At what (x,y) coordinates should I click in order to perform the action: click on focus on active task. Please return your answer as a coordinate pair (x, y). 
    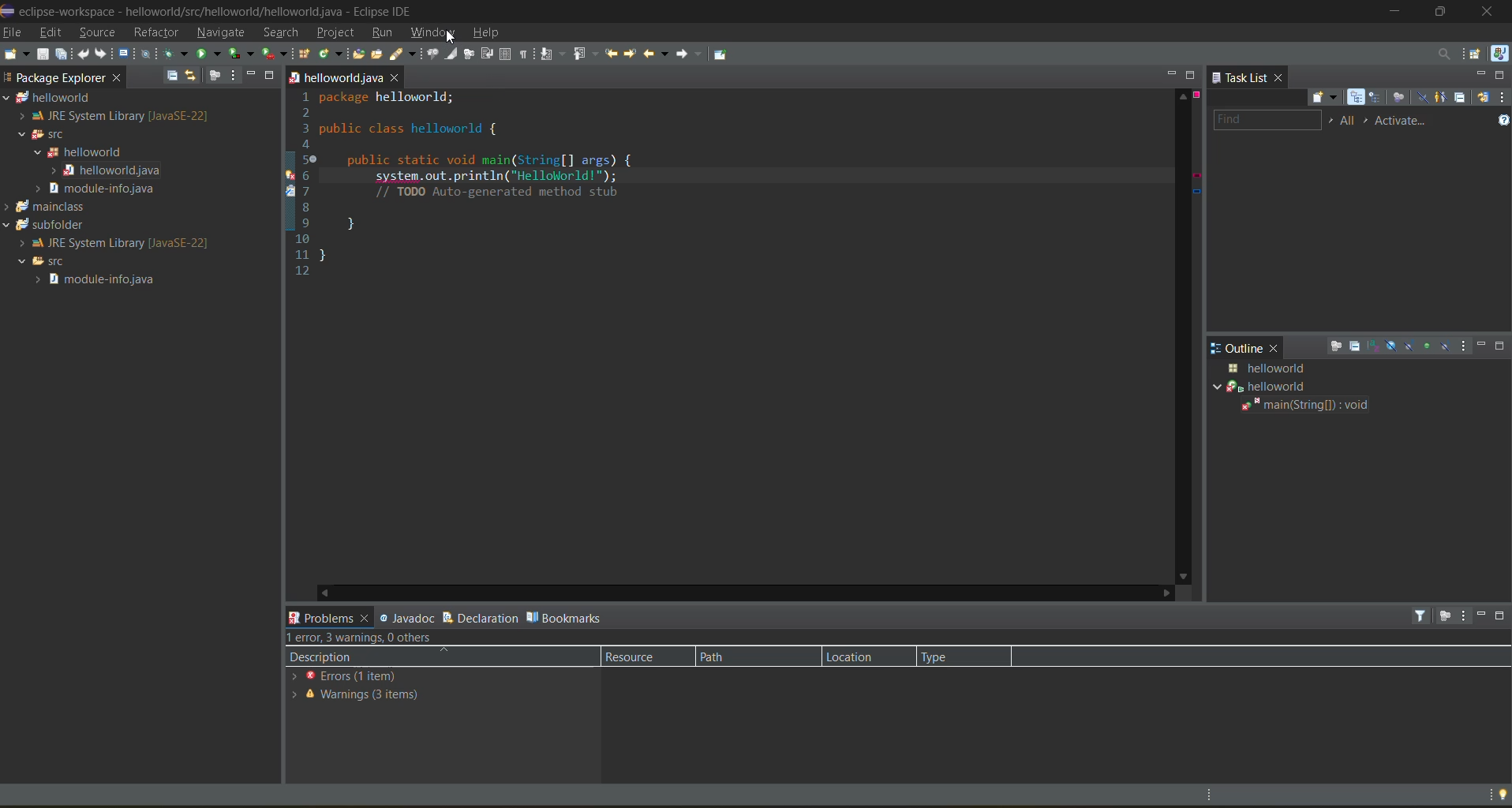
    Looking at the image, I should click on (1339, 346).